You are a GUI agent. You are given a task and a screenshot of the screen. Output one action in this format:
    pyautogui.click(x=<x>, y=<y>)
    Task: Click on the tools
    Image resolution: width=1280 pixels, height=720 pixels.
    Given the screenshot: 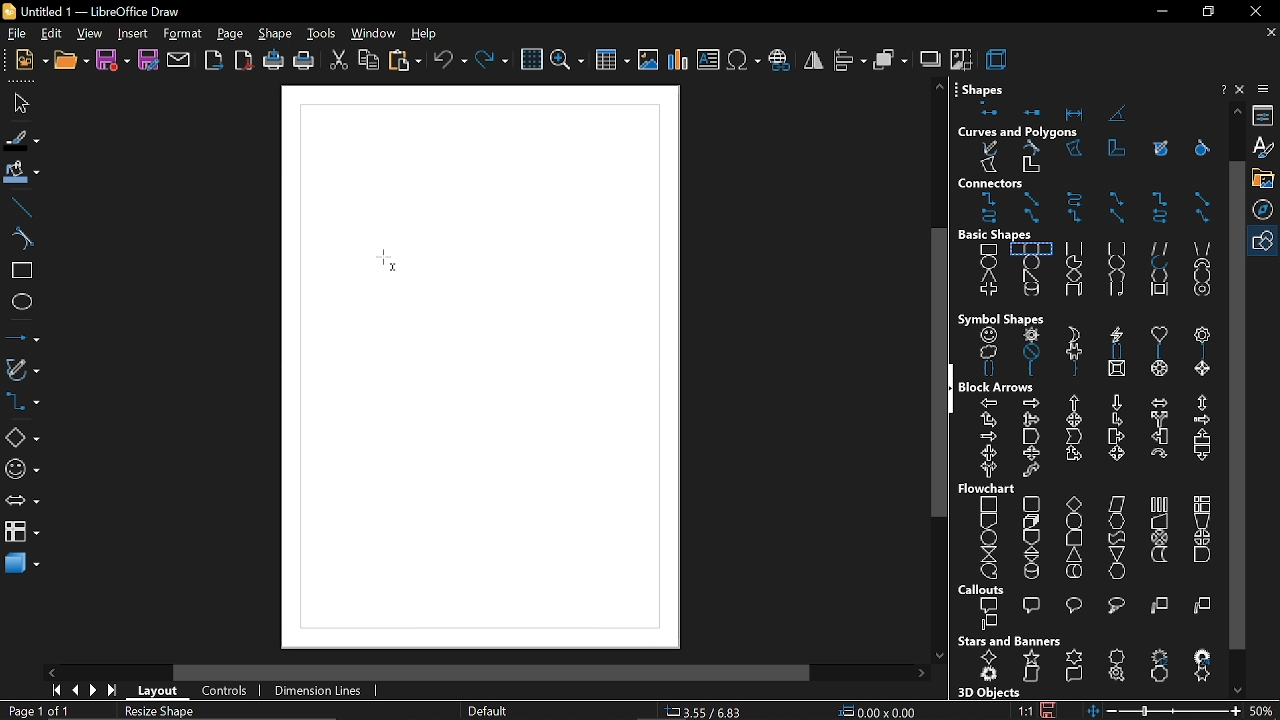 What is the action you would take?
    pyautogui.click(x=322, y=35)
    